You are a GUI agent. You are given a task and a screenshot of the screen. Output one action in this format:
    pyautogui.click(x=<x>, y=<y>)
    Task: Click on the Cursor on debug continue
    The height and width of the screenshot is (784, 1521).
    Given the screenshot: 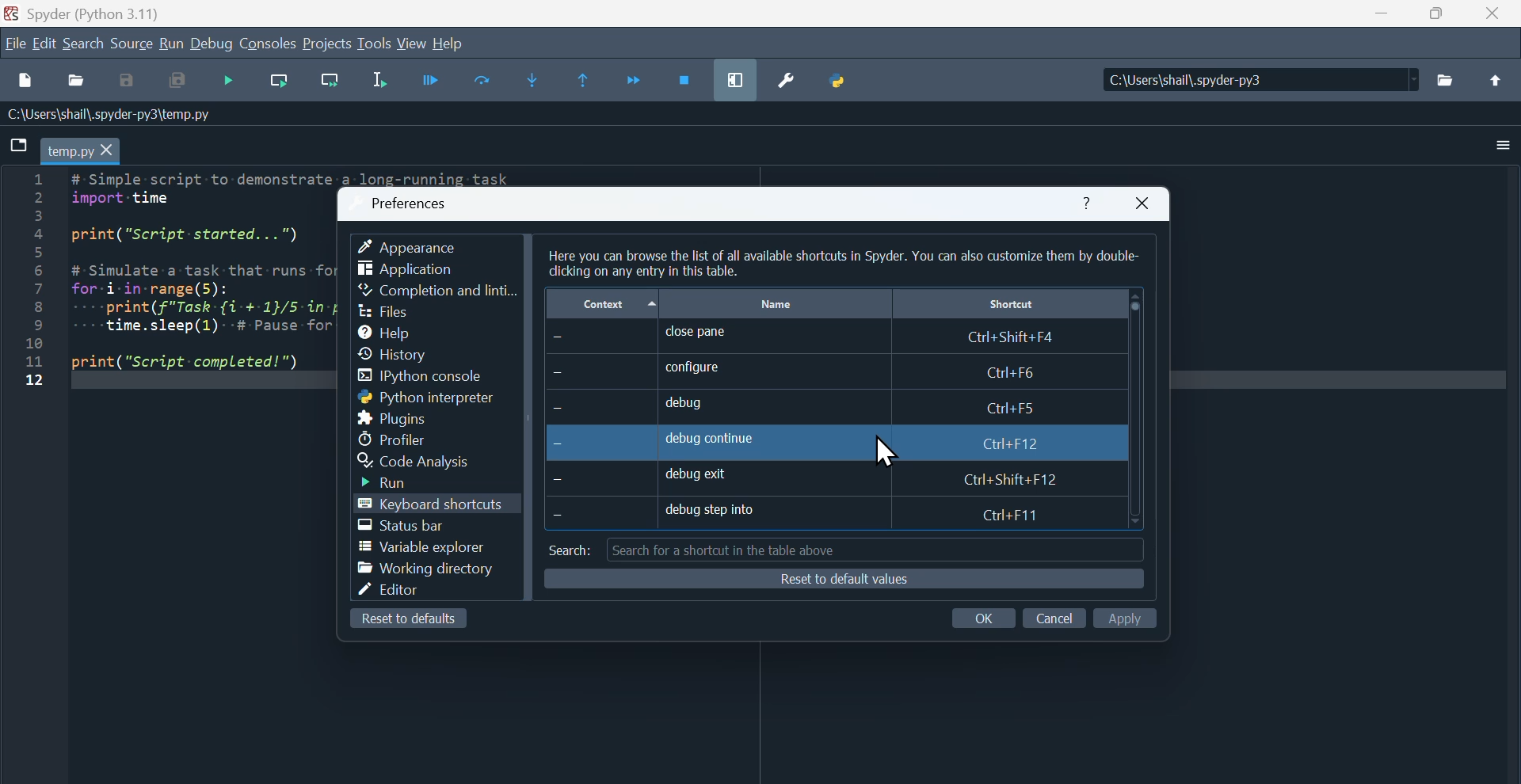 What is the action you would take?
    pyautogui.click(x=883, y=448)
    